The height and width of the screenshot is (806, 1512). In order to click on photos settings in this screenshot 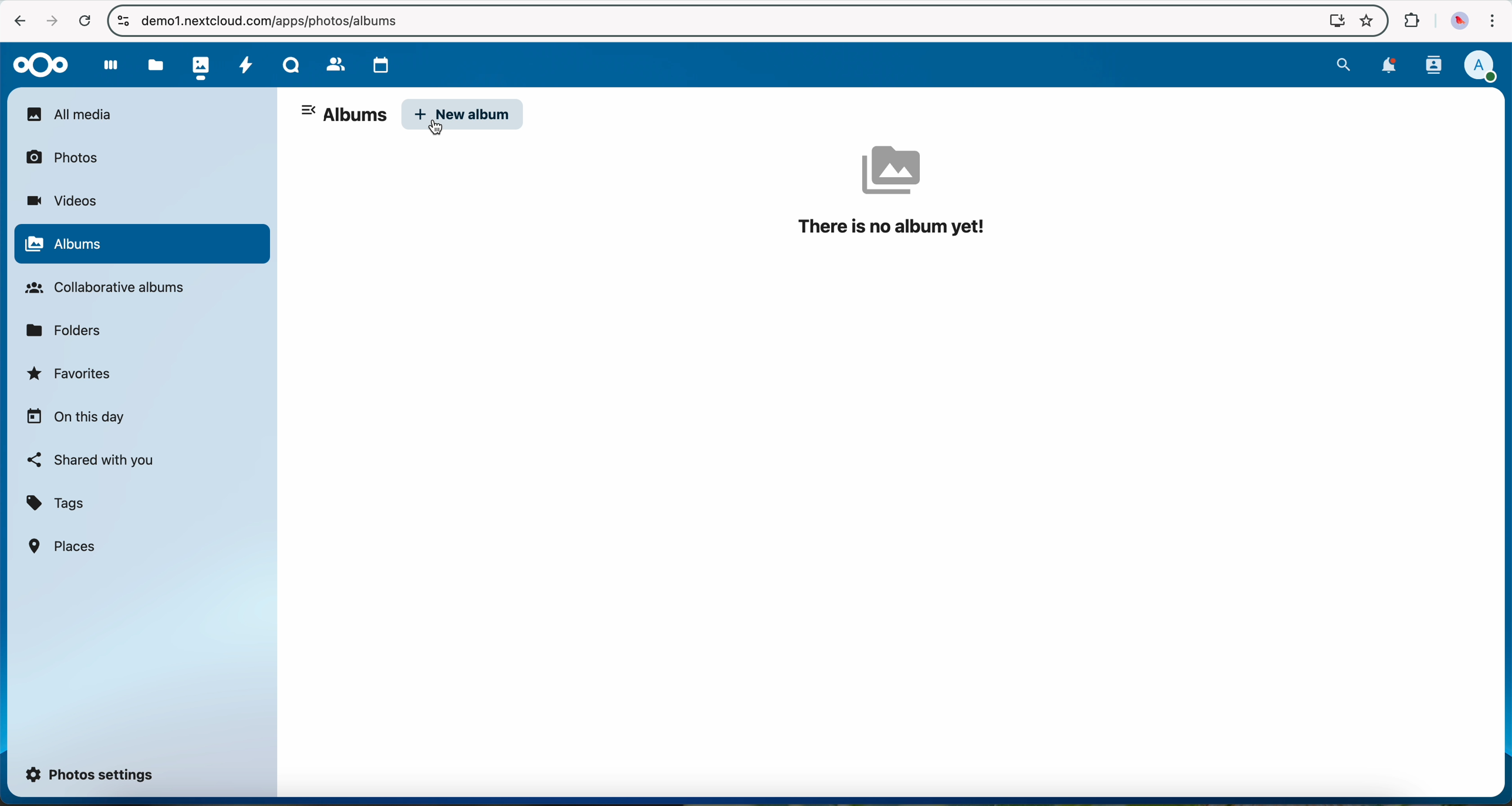, I will do `click(90, 773)`.